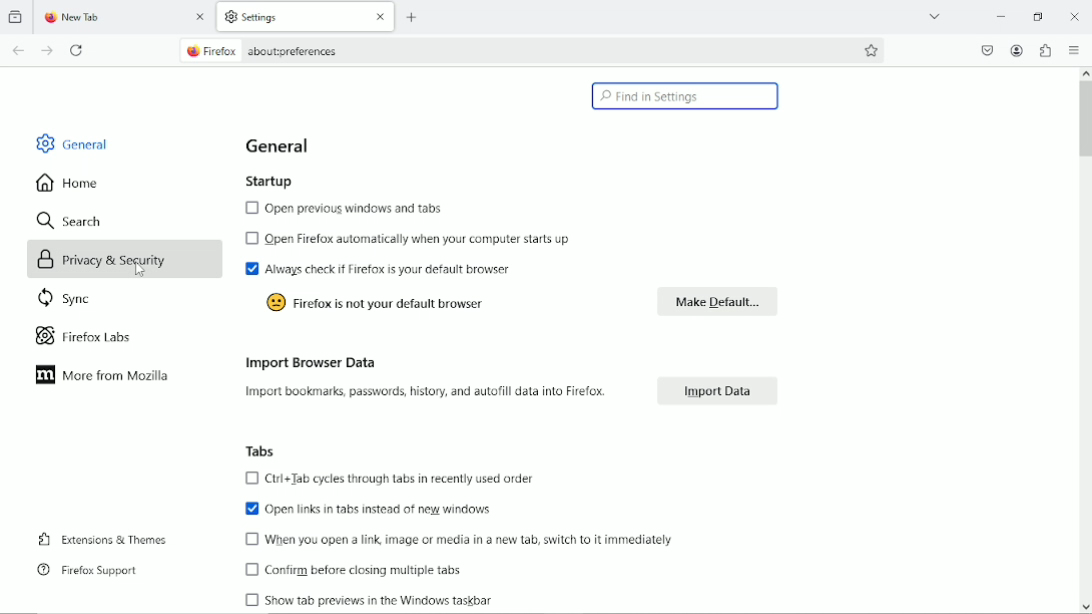 The height and width of the screenshot is (614, 1092). I want to click on vertical scroll bar, so click(1084, 121).